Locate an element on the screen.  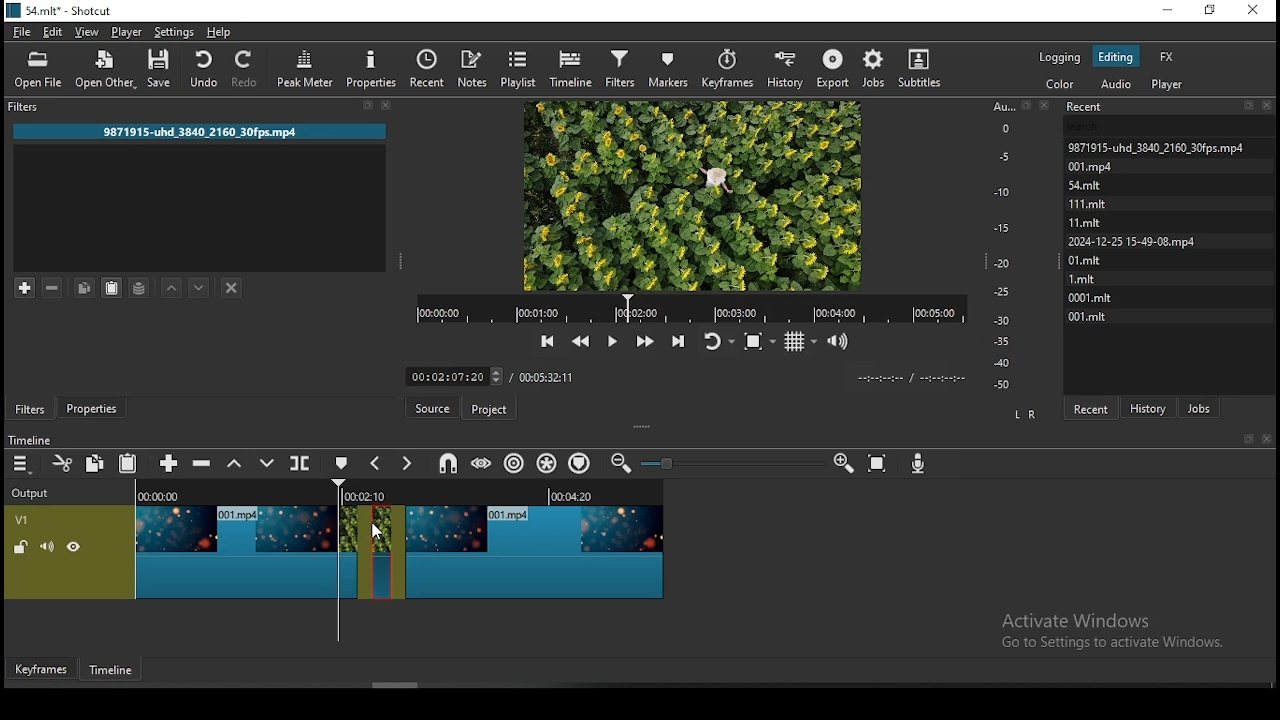
remove selected filters is located at coordinates (51, 288).